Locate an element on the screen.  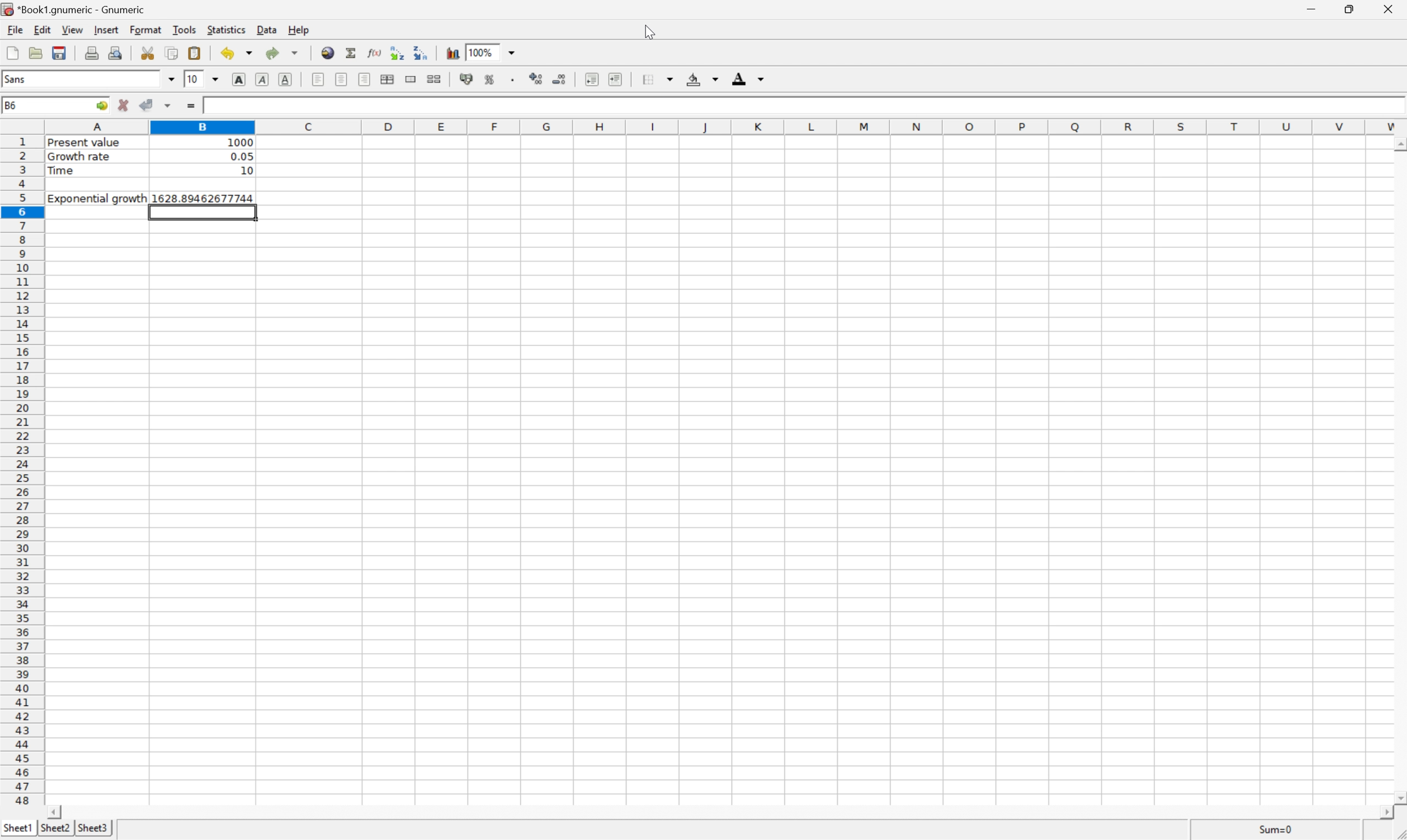
Decrease indent, and align the contents to the left is located at coordinates (592, 78).